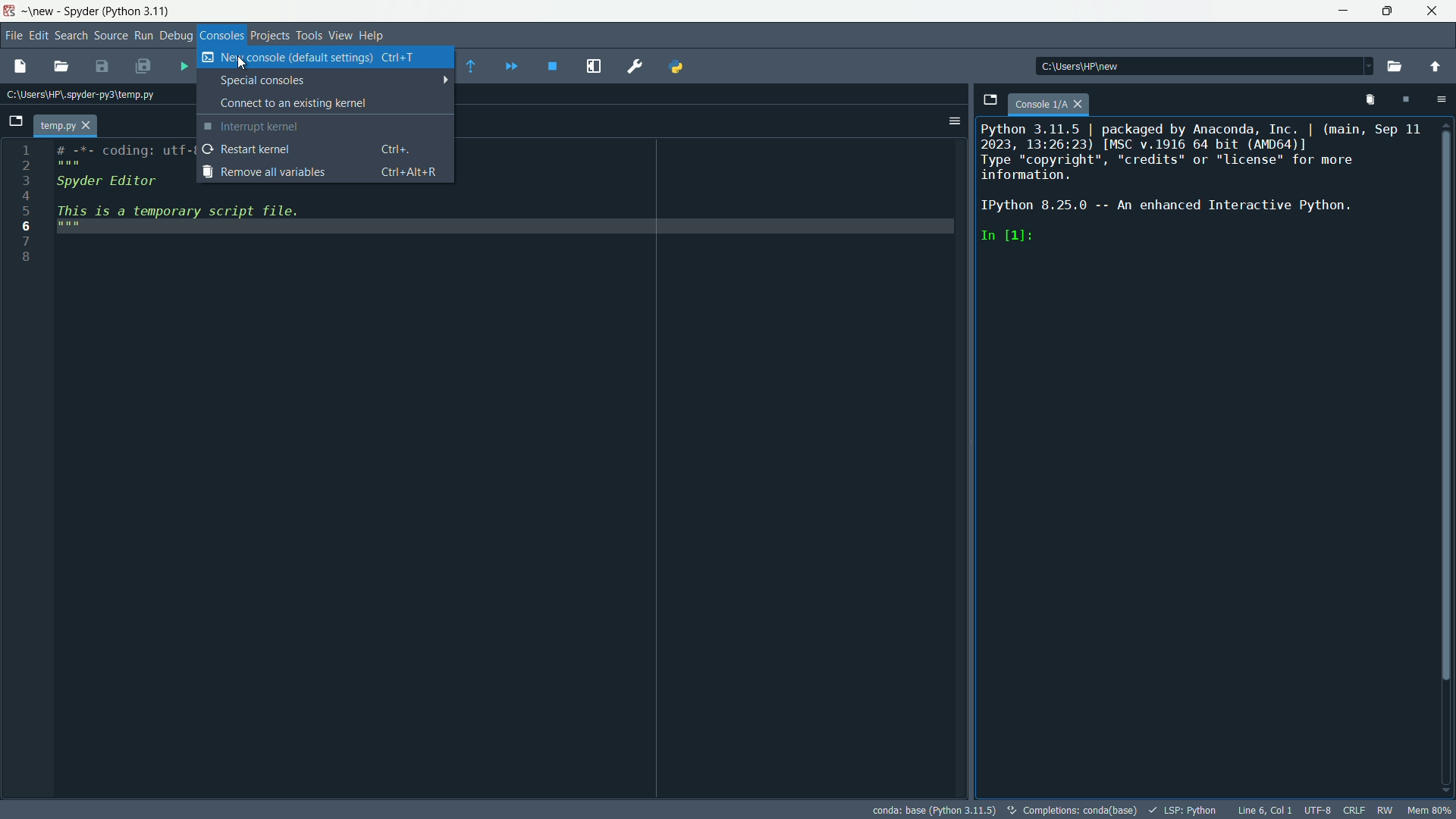 Image resolution: width=1456 pixels, height=819 pixels. Describe the element at coordinates (72, 35) in the screenshot. I see `search menu` at that location.